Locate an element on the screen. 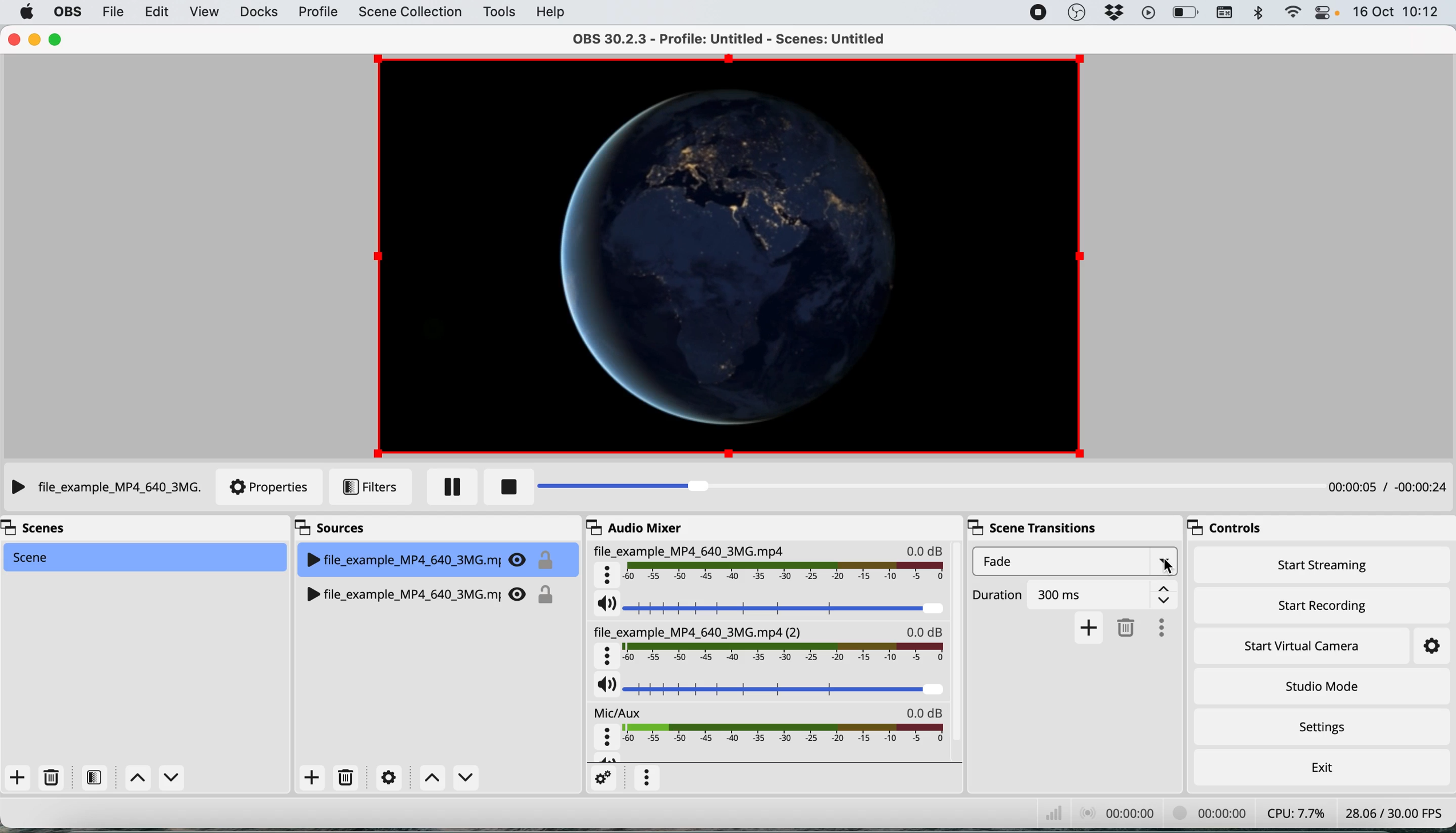 The height and width of the screenshot is (833, 1456). sources is located at coordinates (337, 526).